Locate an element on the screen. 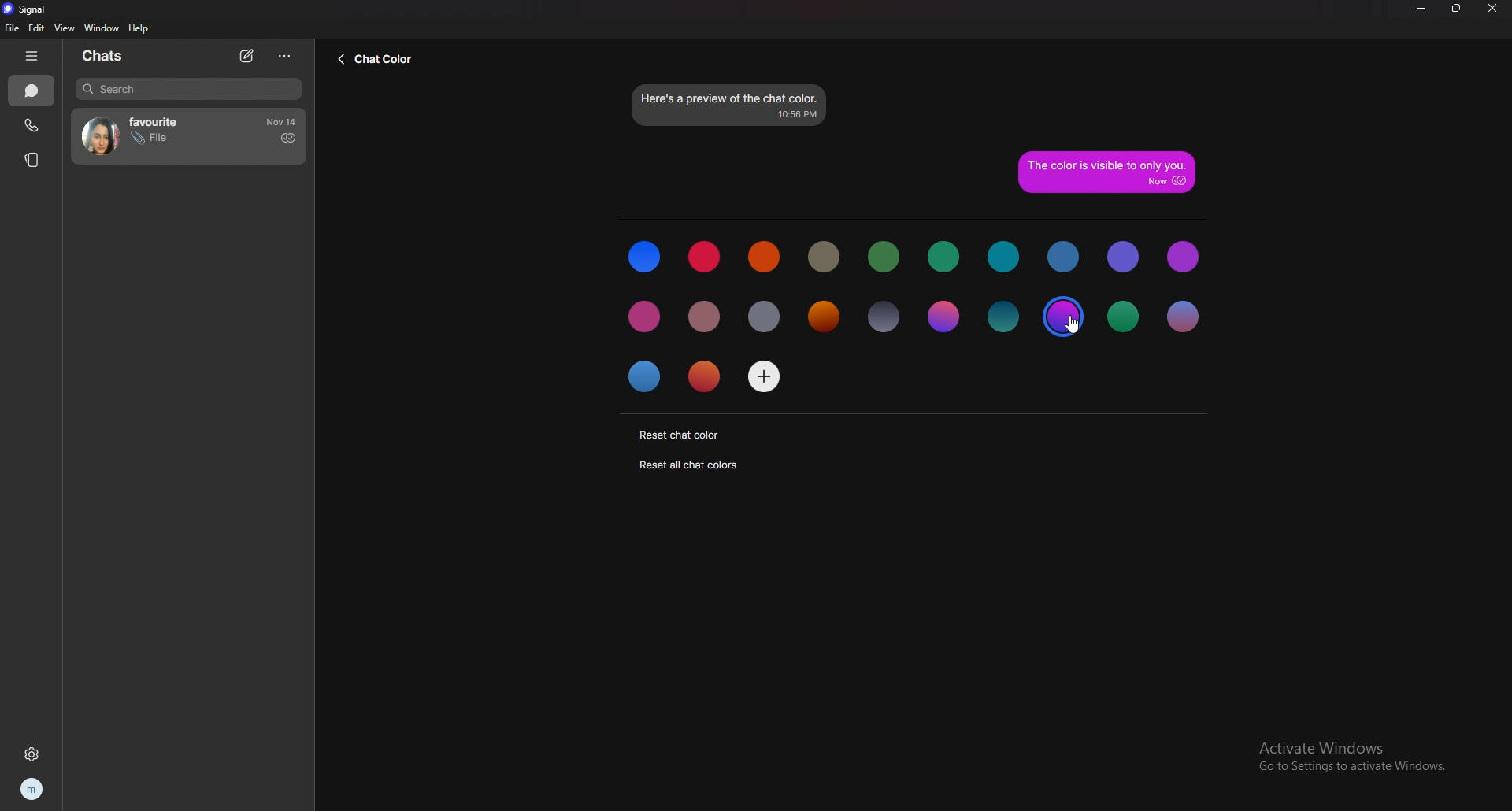  color is located at coordinates (1124, 258).